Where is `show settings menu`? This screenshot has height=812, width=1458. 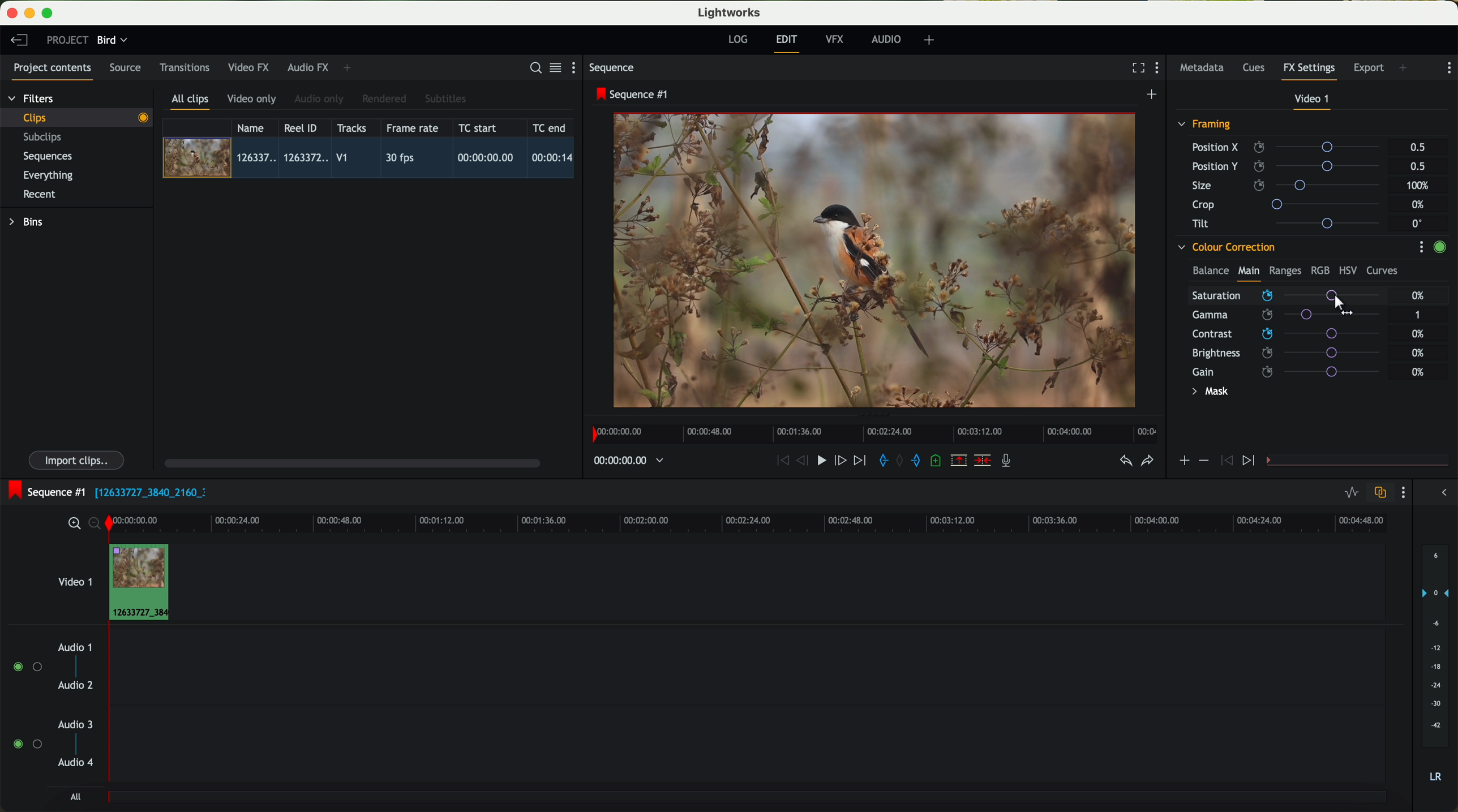 show settings menu is located at coordinates (1160, 69).